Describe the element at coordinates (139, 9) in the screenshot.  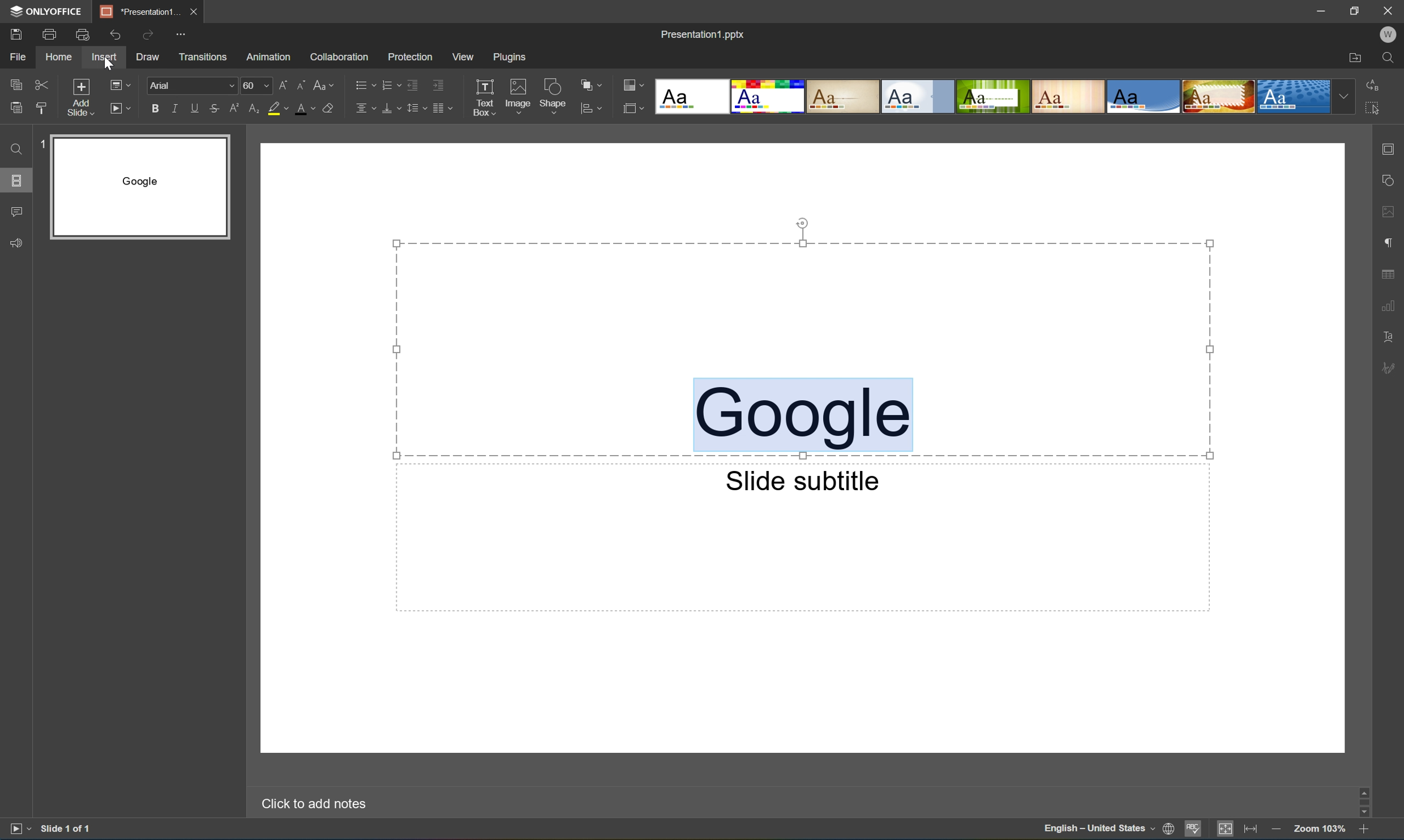
I see `*Presentation1...` at that location.